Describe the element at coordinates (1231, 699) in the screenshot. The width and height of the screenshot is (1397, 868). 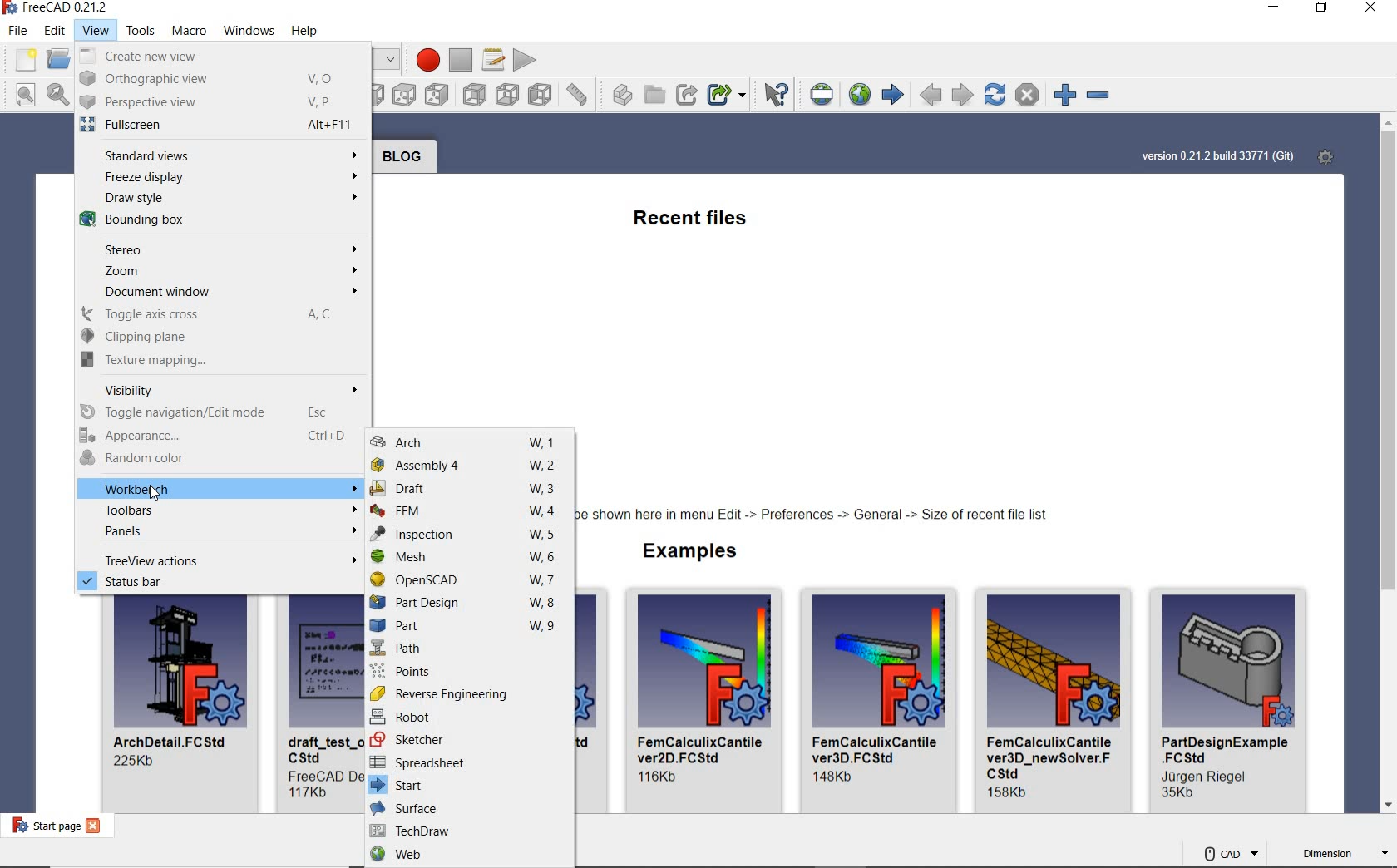
I see `PartDesingExample` at that location.